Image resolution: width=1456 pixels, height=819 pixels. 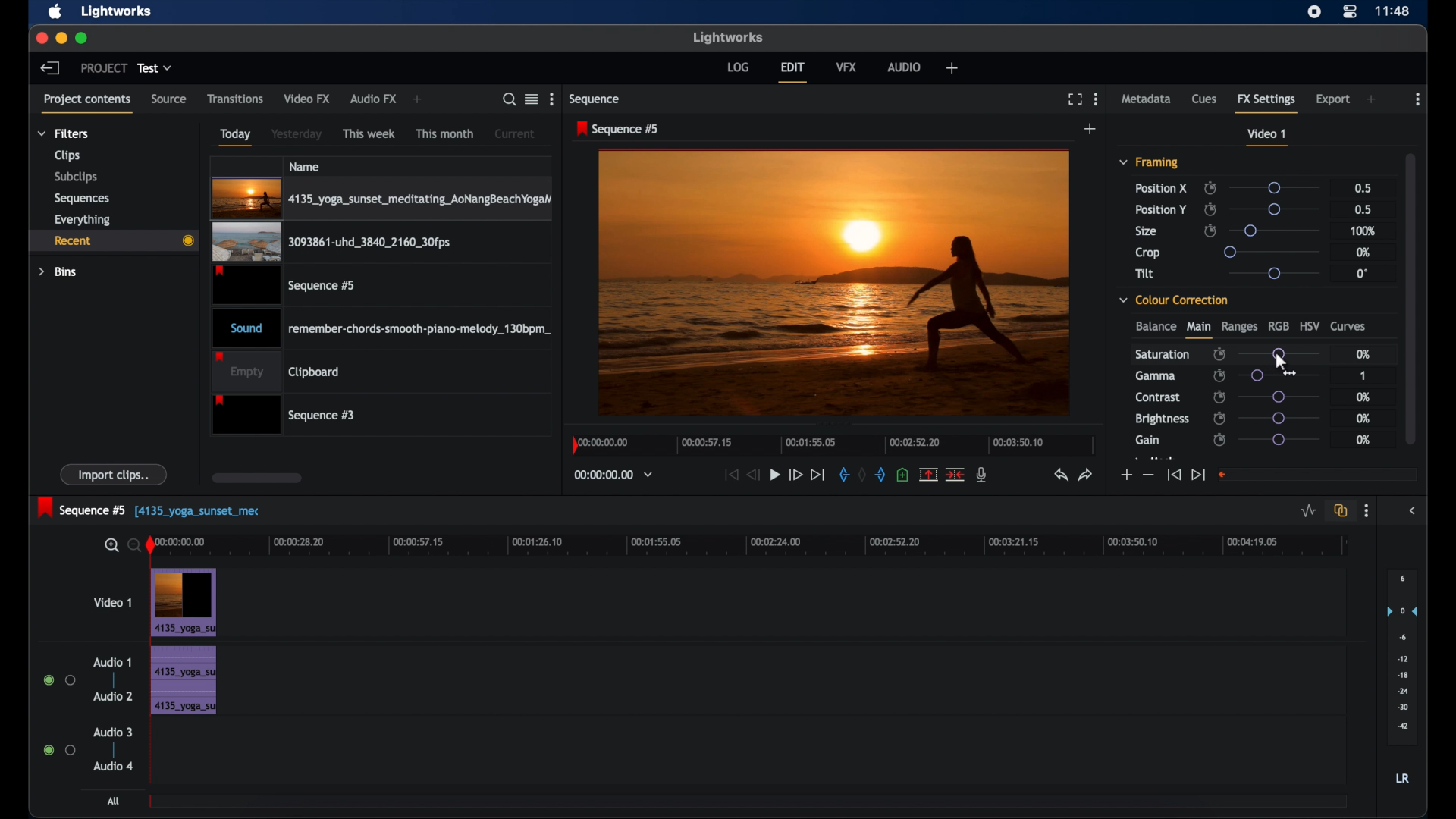 I want to click on jump to start, so click(x=1173, y=475).